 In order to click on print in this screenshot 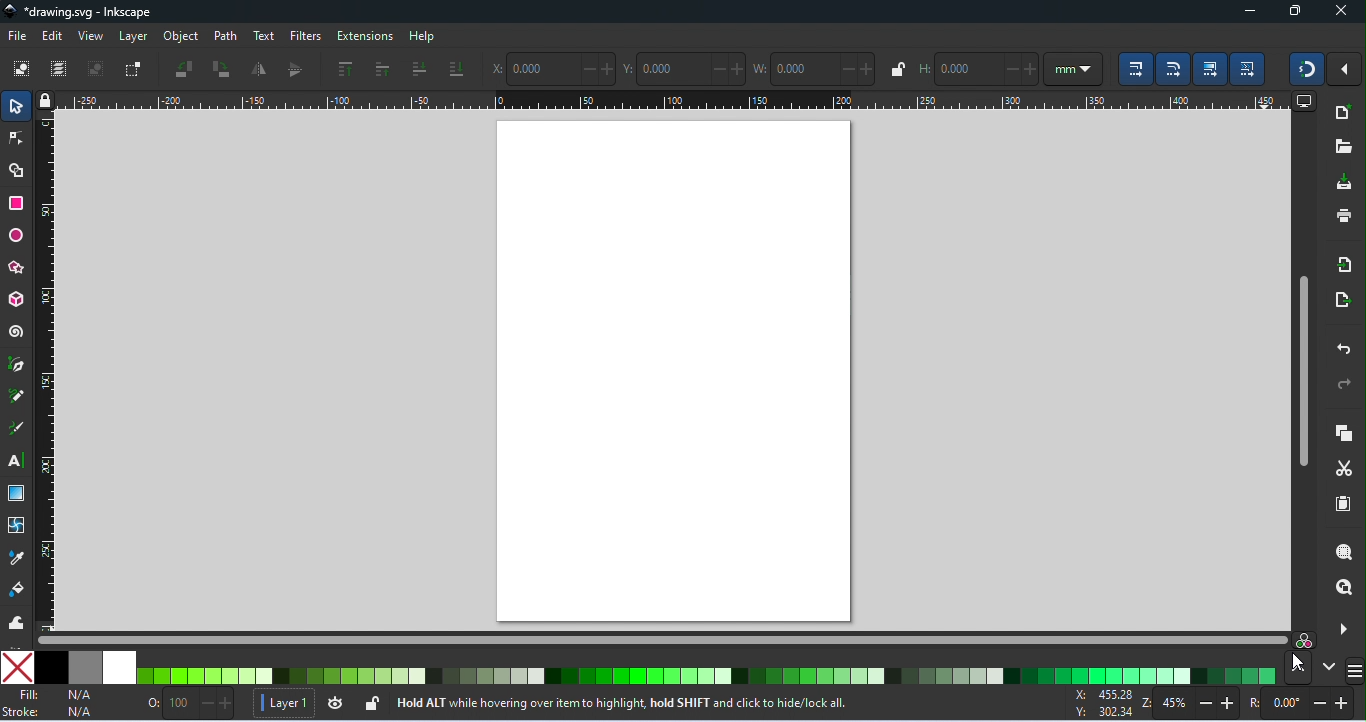, I will do `click(1342, 215)`.